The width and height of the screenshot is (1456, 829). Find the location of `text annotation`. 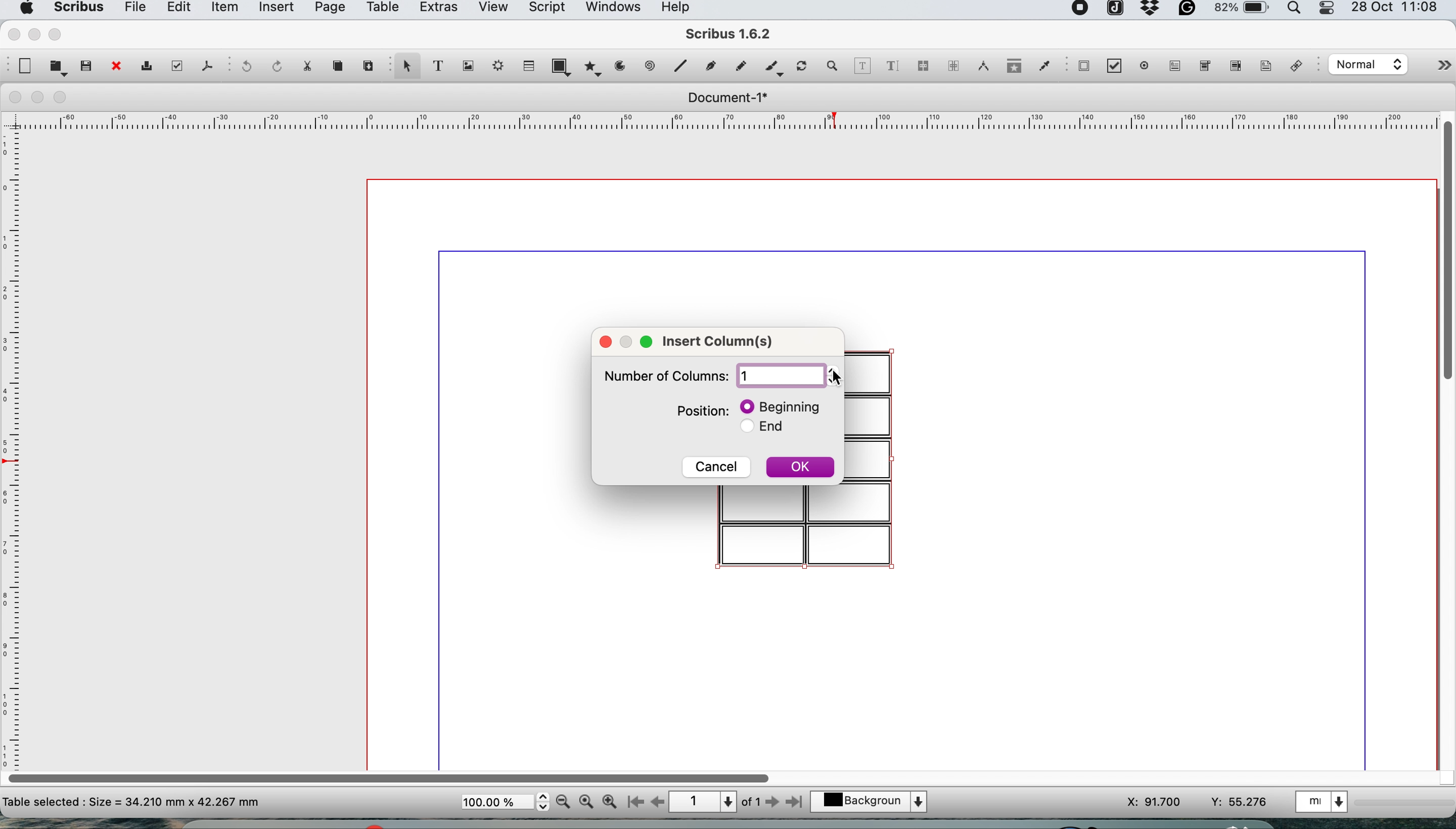

text annotation is located at coordinates (1264, 65).